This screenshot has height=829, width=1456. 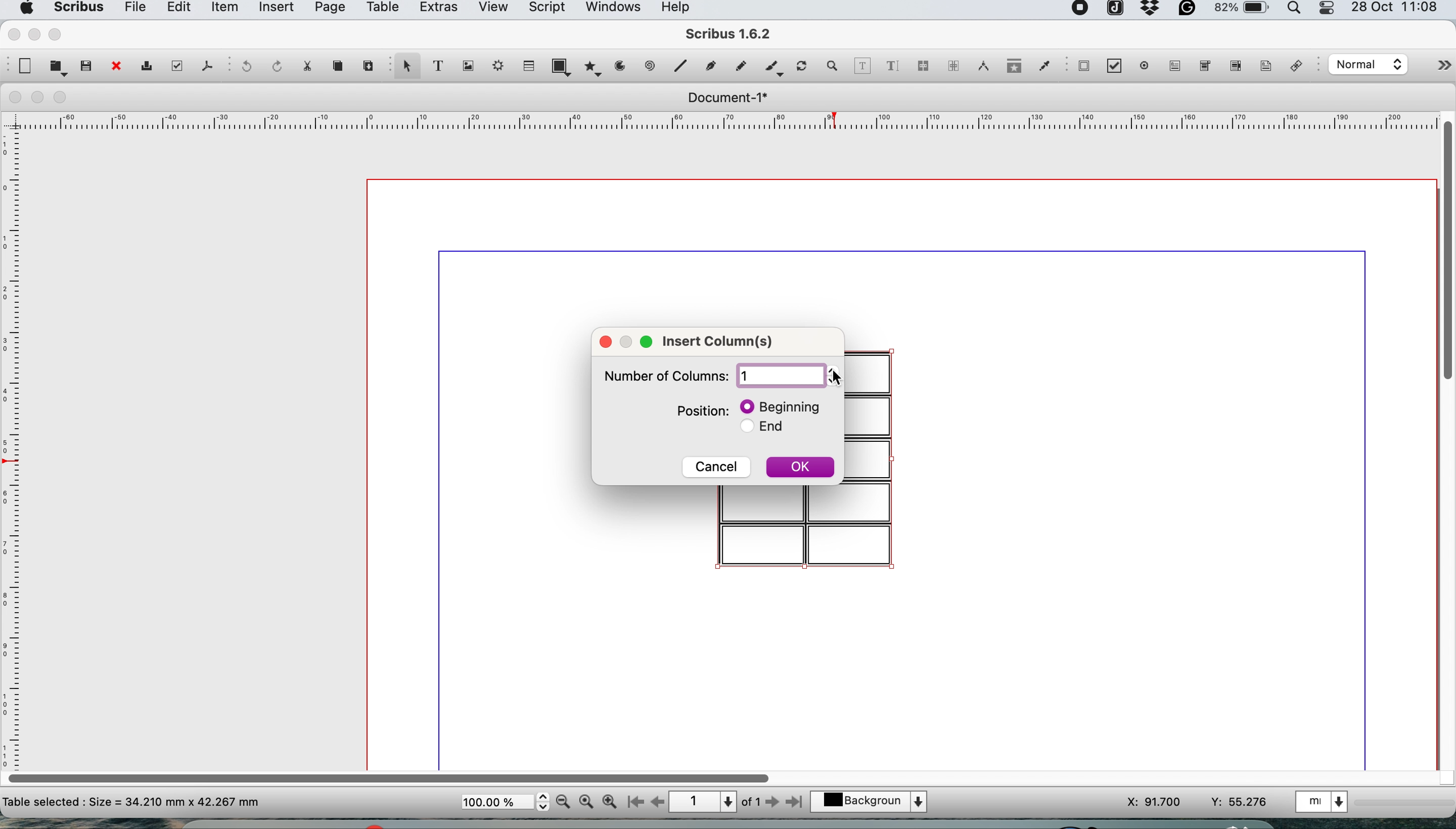 I want to click on zoom in, so click(x=610, y=802).